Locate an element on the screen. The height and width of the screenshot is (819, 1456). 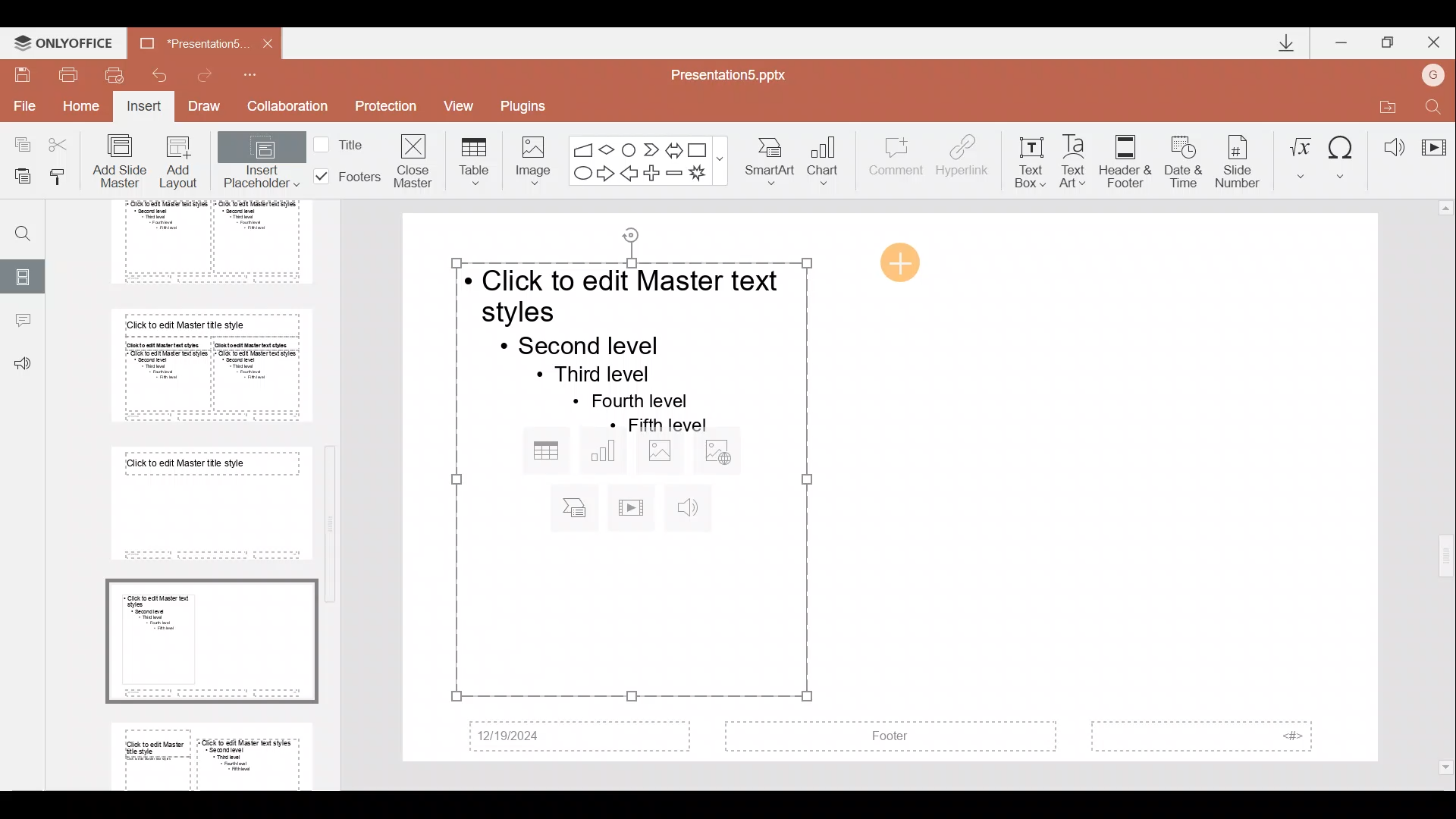
Header & footer is located at coordinates (1125, 161).